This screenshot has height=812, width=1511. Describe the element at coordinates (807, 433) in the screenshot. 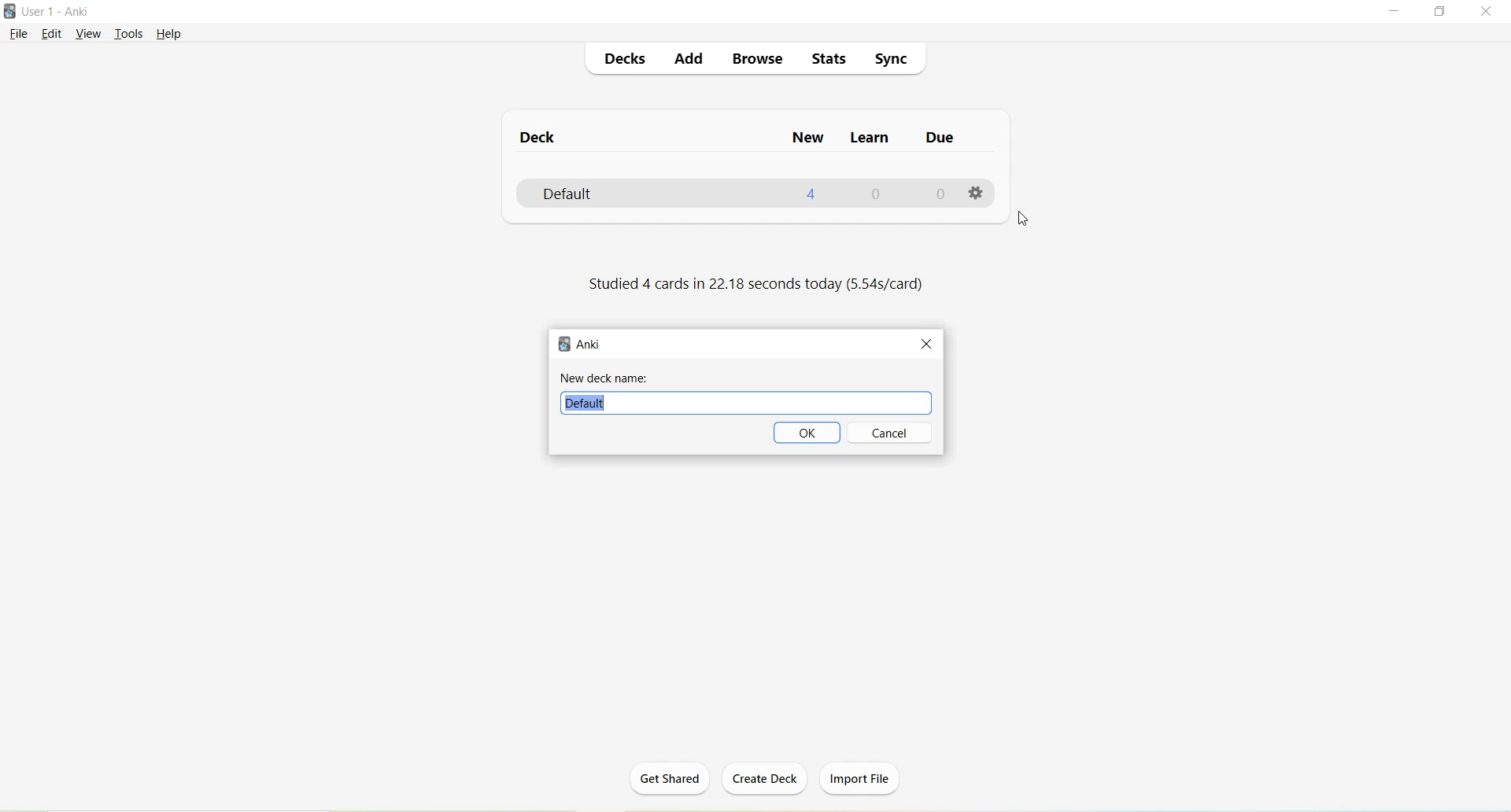

I see `OK` at that location.